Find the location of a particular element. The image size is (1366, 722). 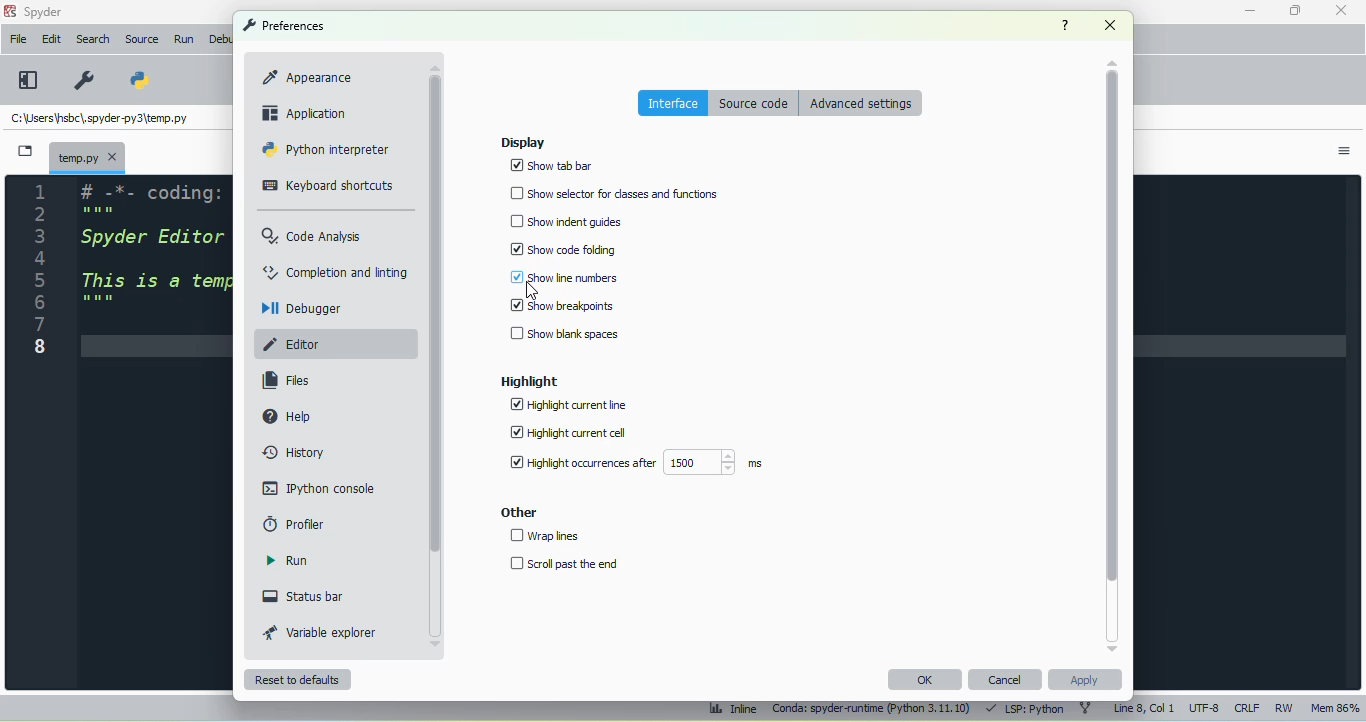

options is located at coordinates (1345, 152).